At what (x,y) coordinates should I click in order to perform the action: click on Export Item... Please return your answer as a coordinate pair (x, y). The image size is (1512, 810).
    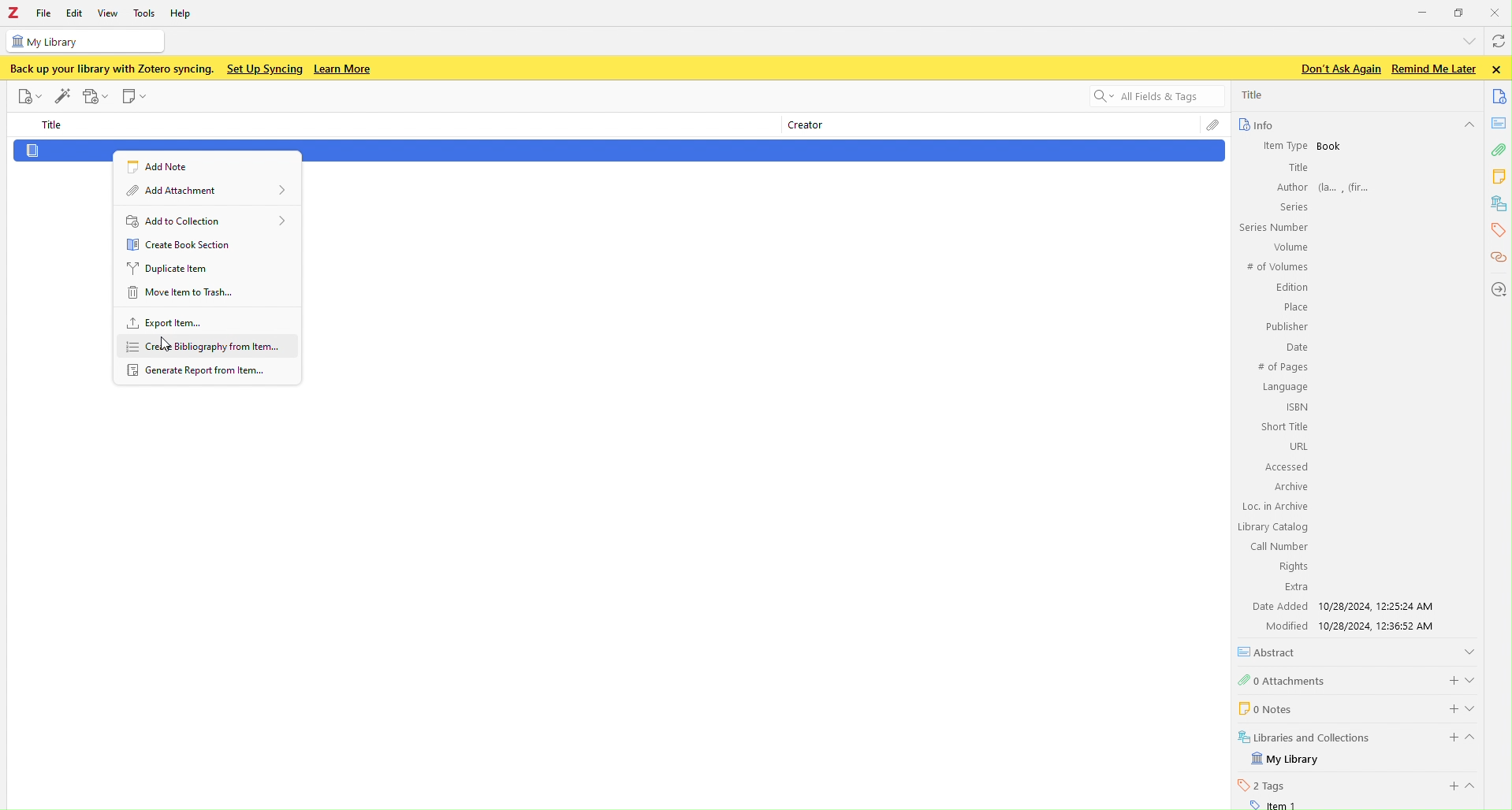
    Looking at the image, I should click on (167, 322).